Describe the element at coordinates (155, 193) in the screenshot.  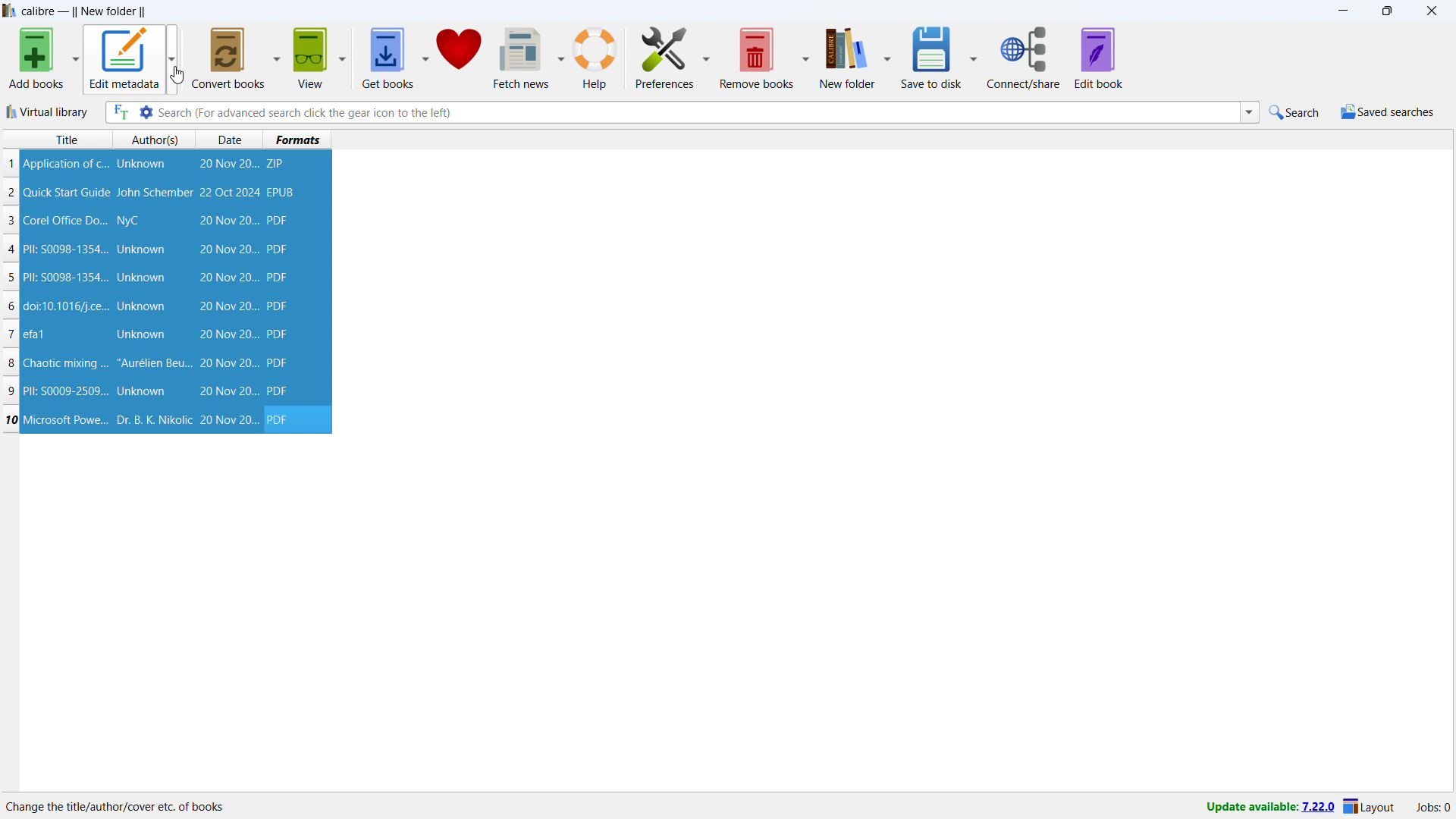
I see `John Schember` at that location.